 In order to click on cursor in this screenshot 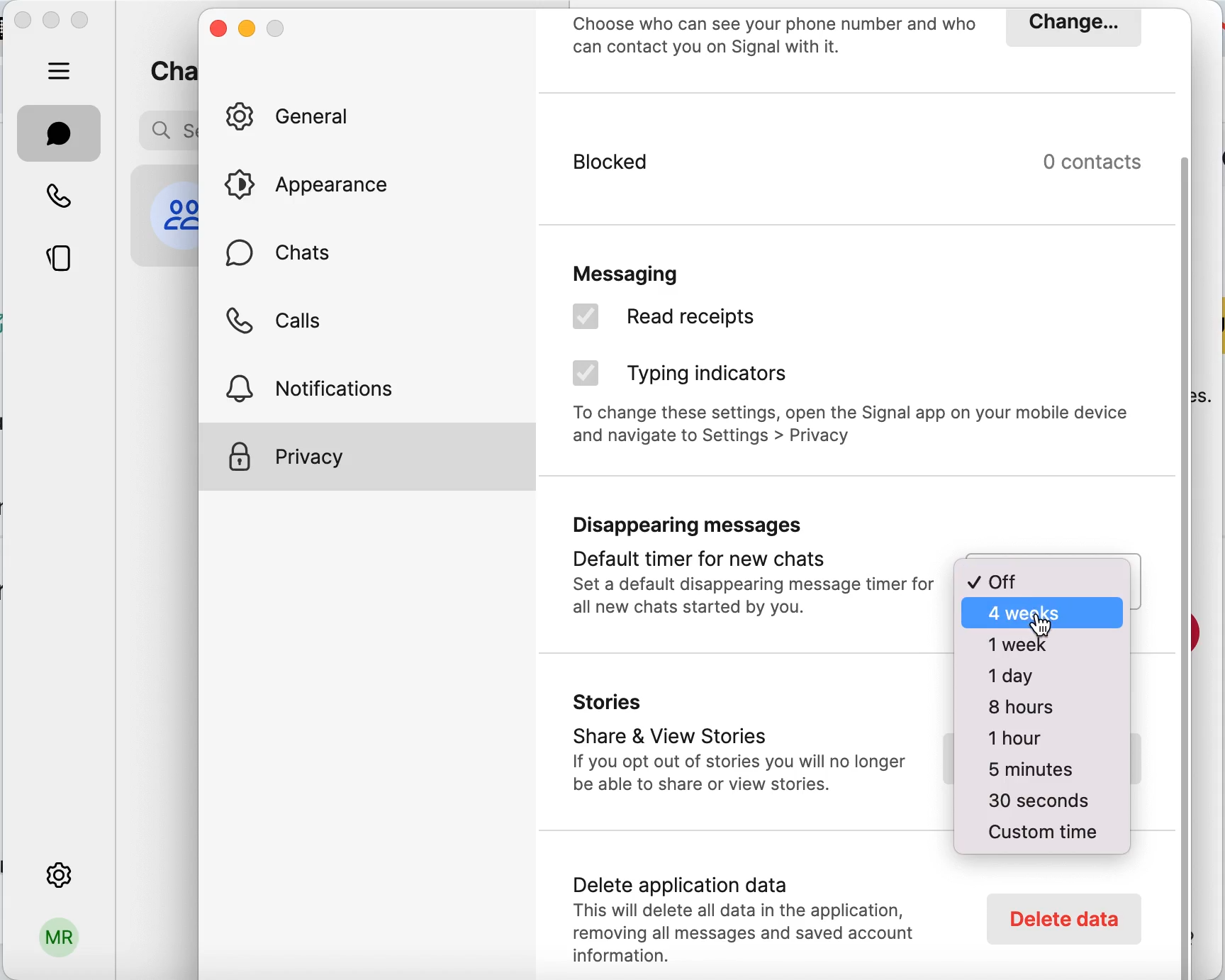, I will do `click(1043, 626)`.